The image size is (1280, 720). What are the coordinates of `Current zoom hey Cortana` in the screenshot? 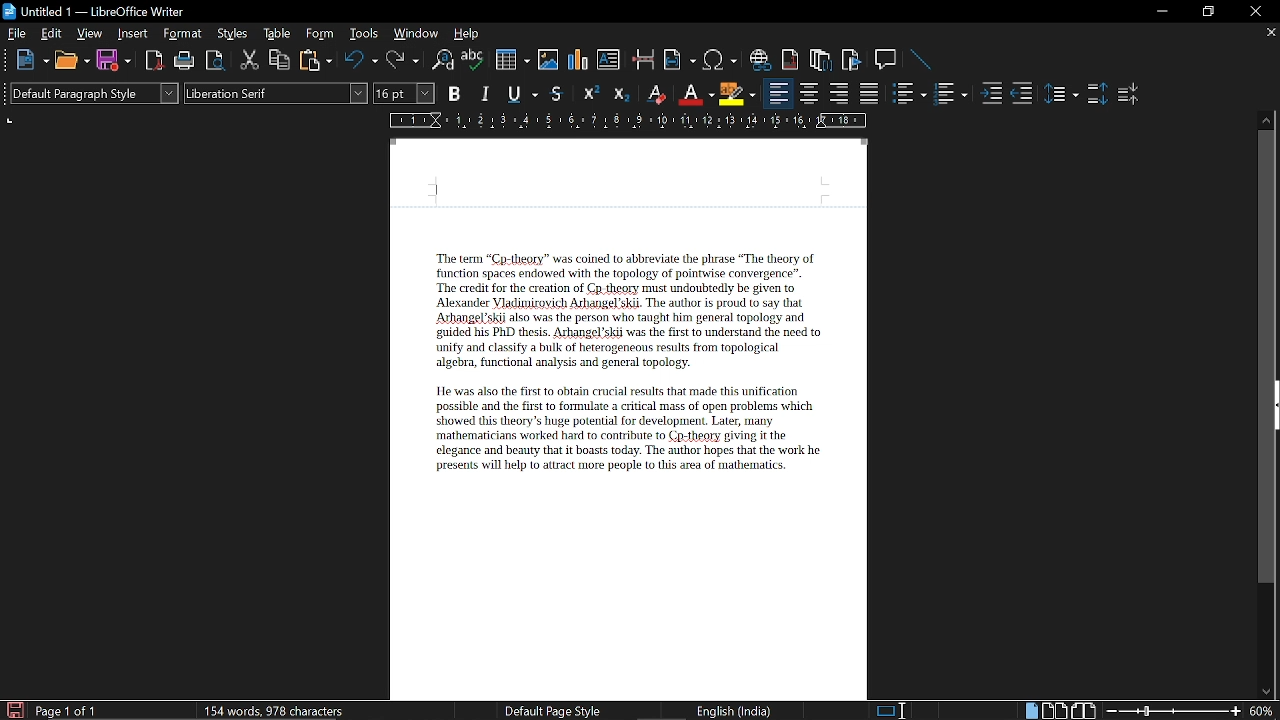 It's located at (1261, 710).